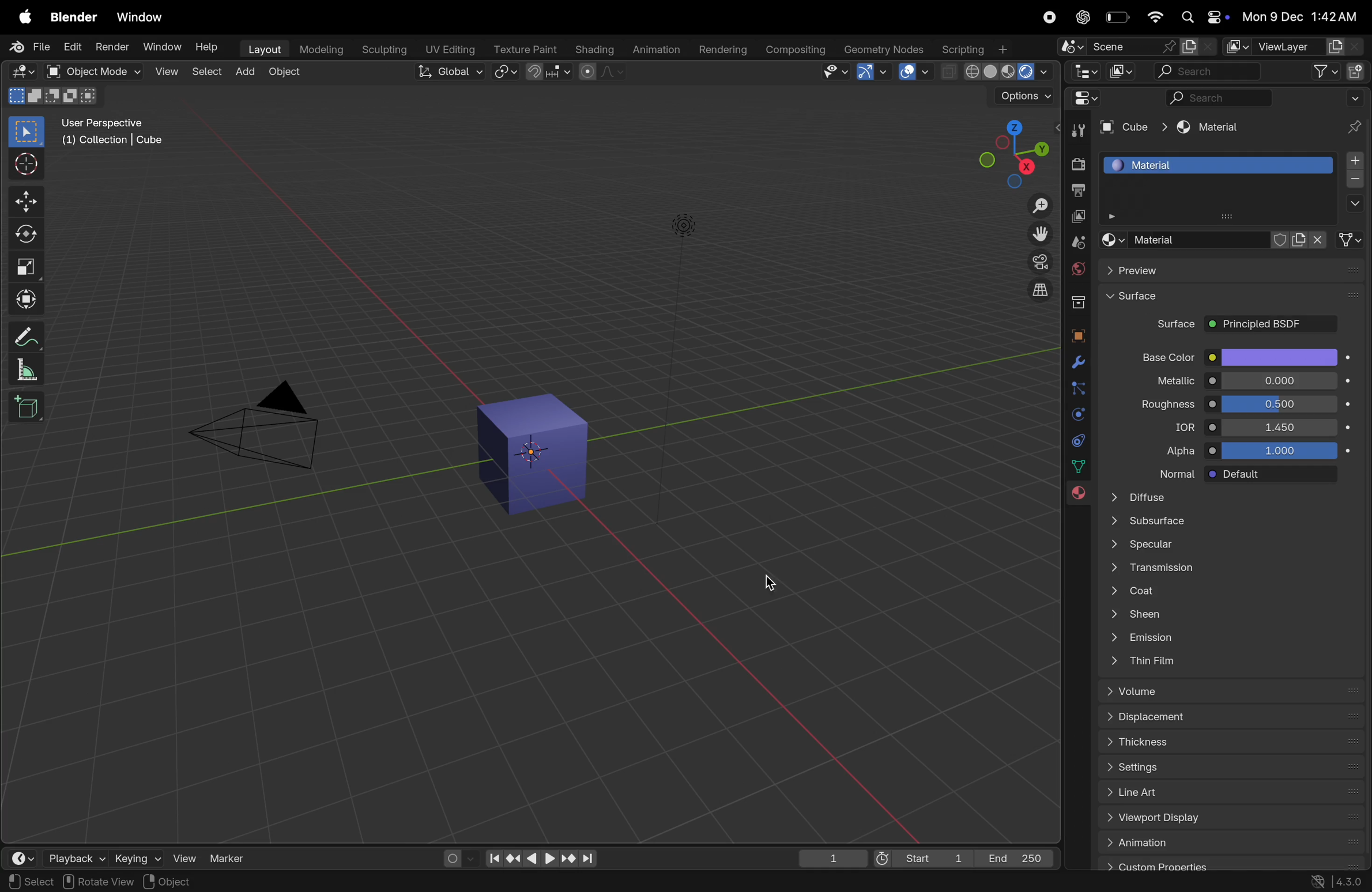 The height and width of the screenshot is (892, 1372). Describe the element at coordinates (1166, 473) in the screenshot. I see `normal` at that location.